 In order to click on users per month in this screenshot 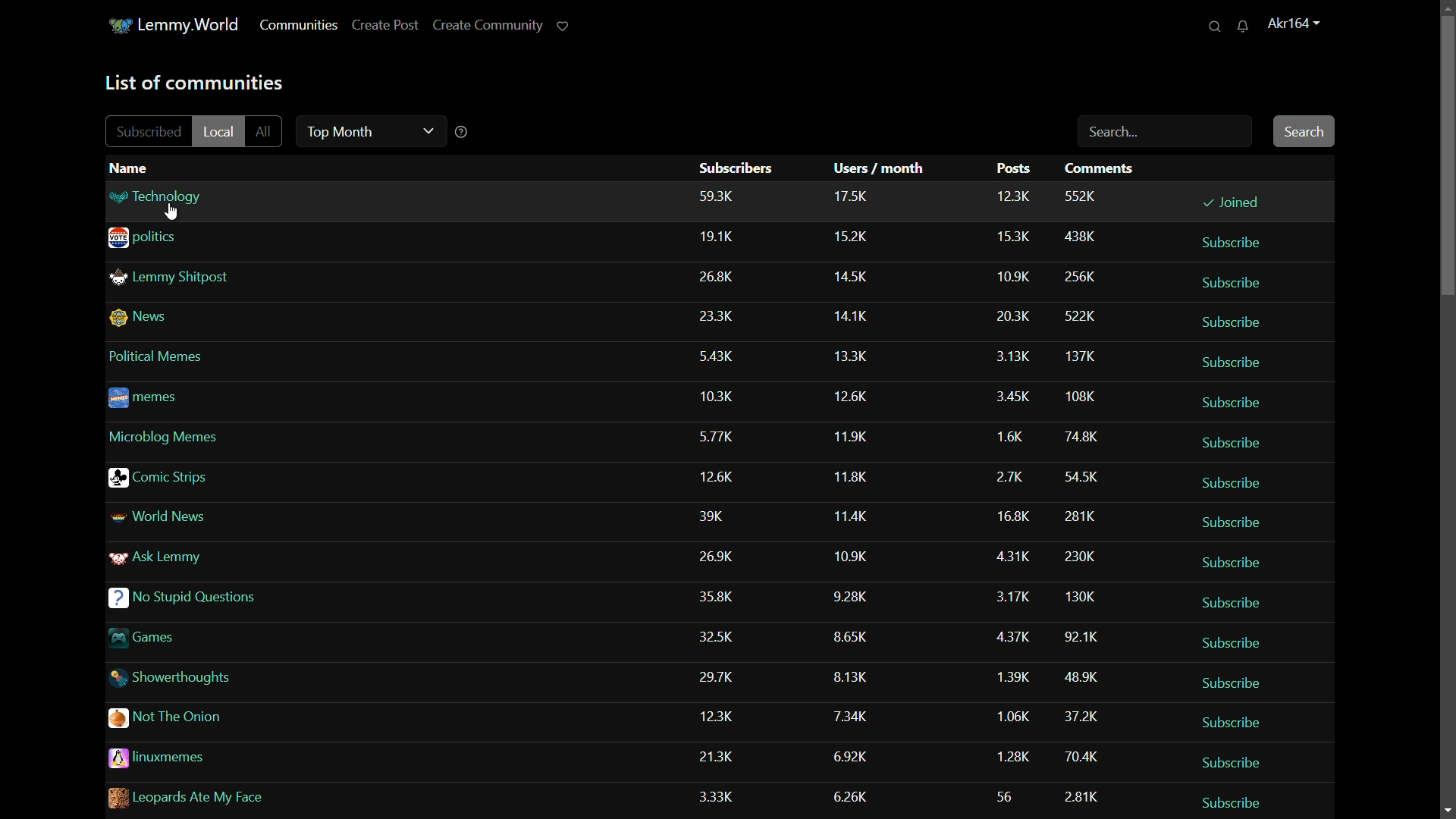, I will do `click(849, 497)`.